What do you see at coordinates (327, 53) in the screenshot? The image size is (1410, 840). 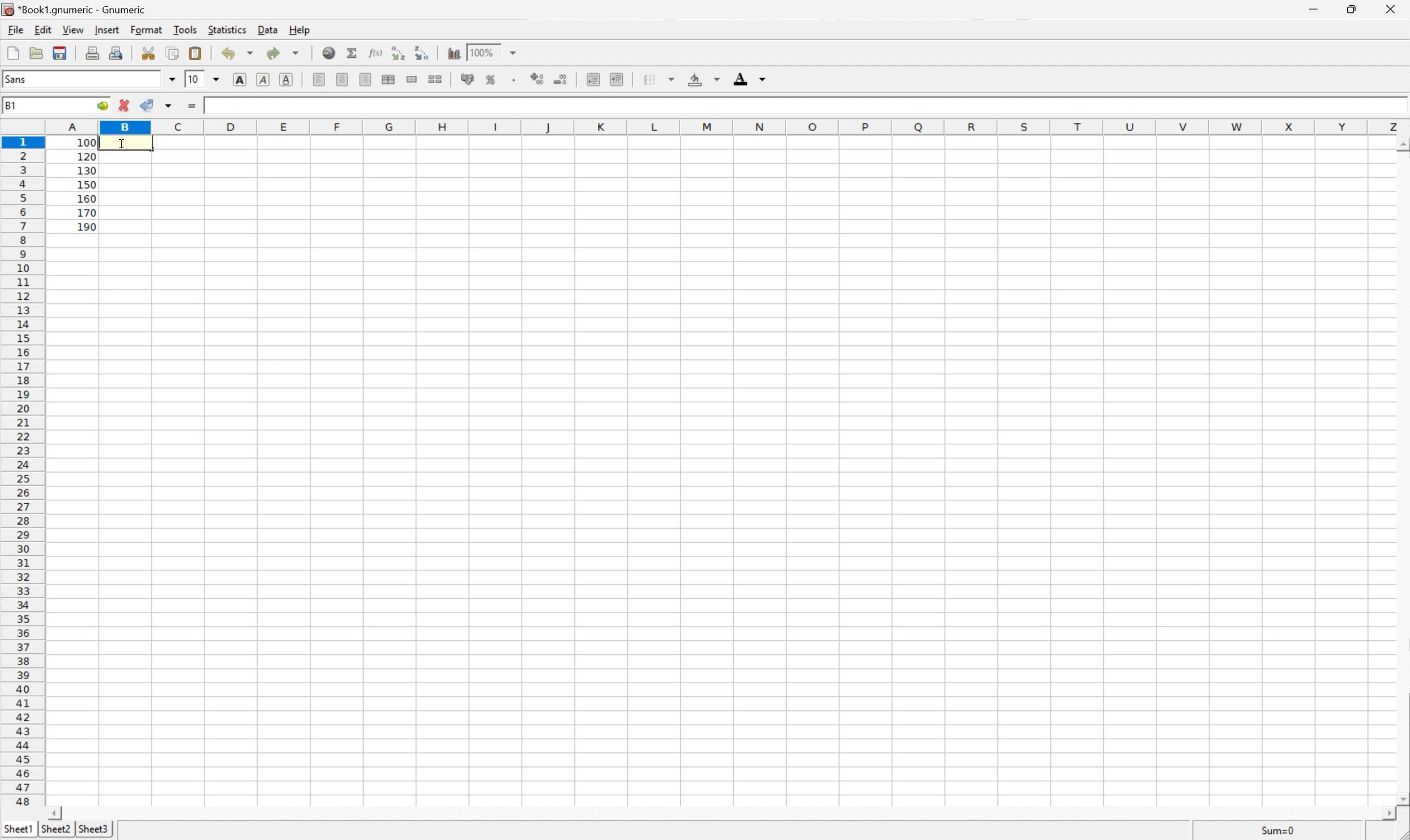 I see `Insert hyperlink` at bounding box center [327, 53].